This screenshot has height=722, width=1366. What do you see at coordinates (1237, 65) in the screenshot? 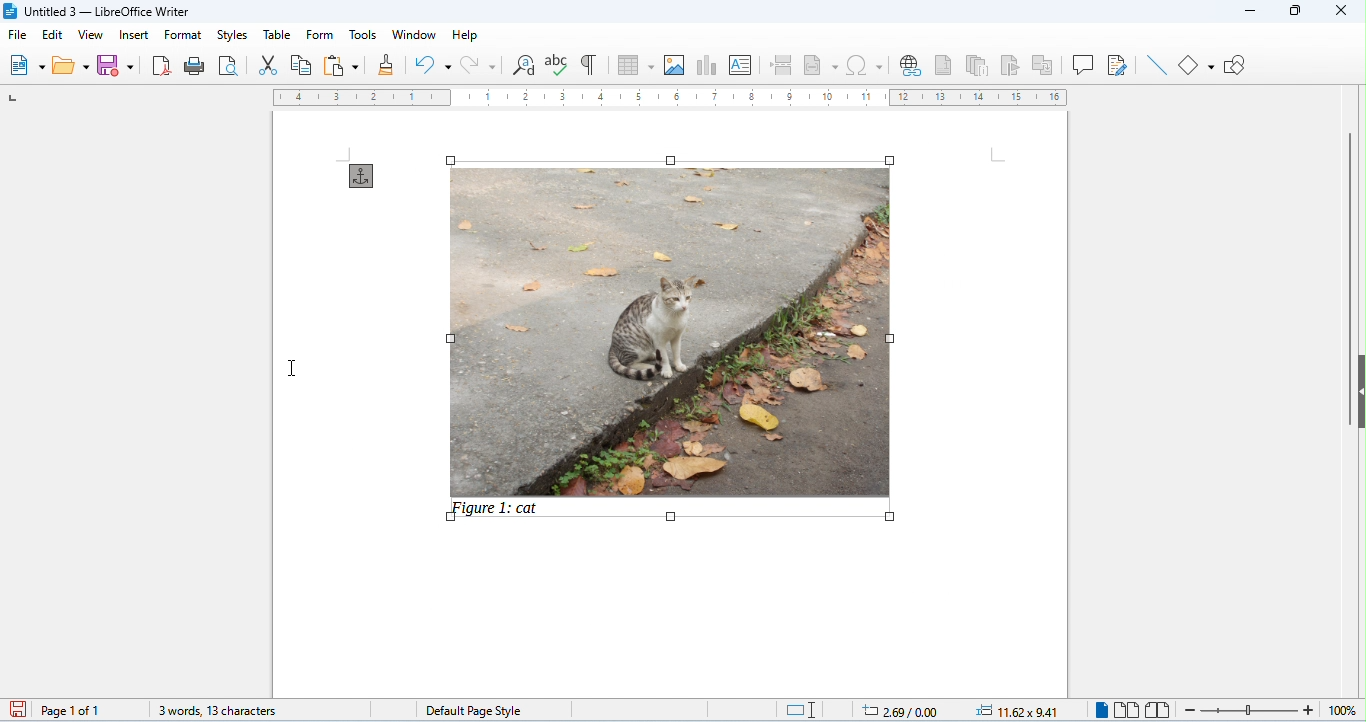
I see `show draw functions` at bounding box center [1237, 65].